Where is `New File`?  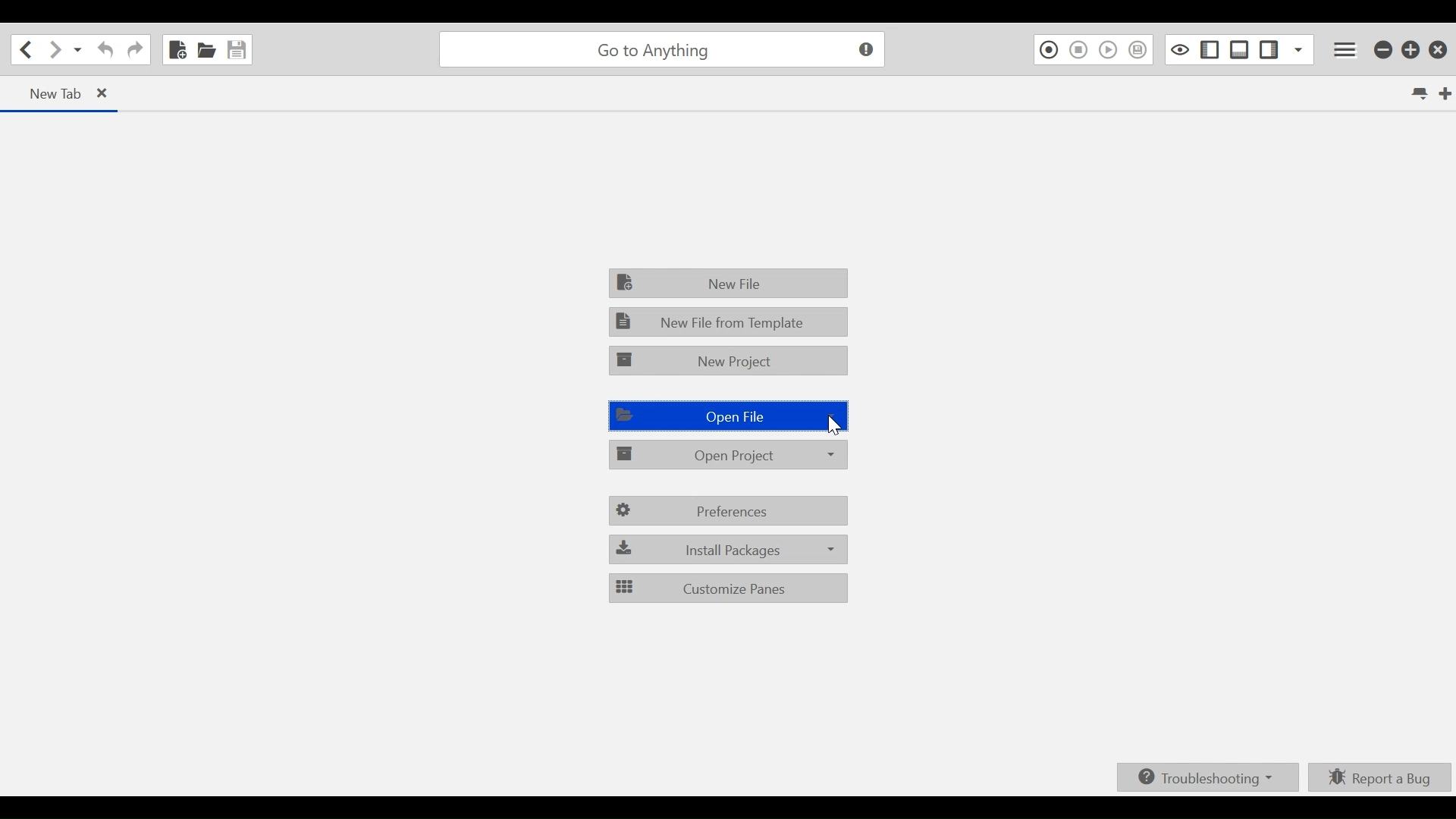
New File is located at coordinates (727, 284).